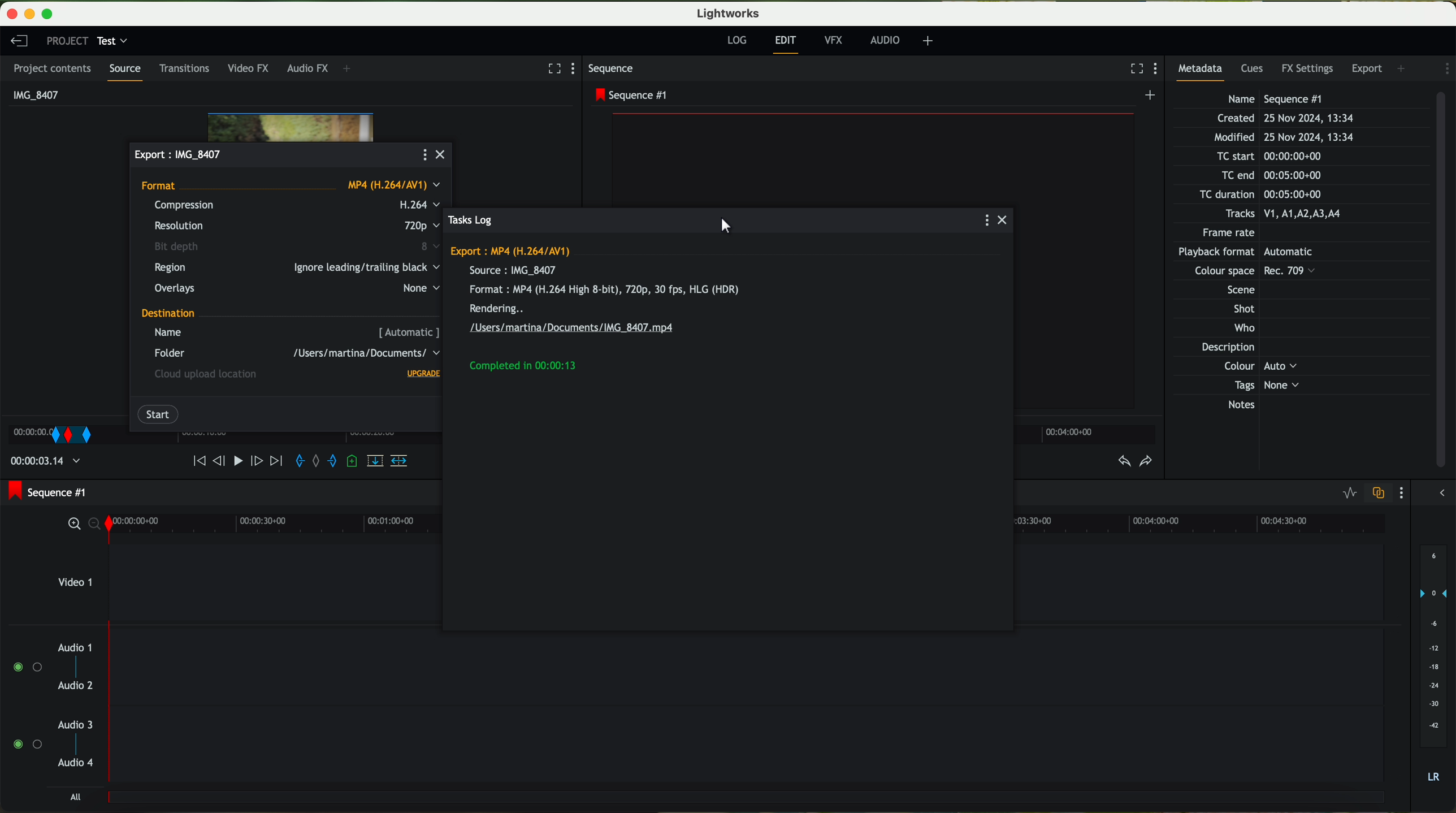 This screenshot has width=1456, height=813. Describe the element at coordinates (25, 706) in the screenshot. I see `enable audio tracks` at that location.